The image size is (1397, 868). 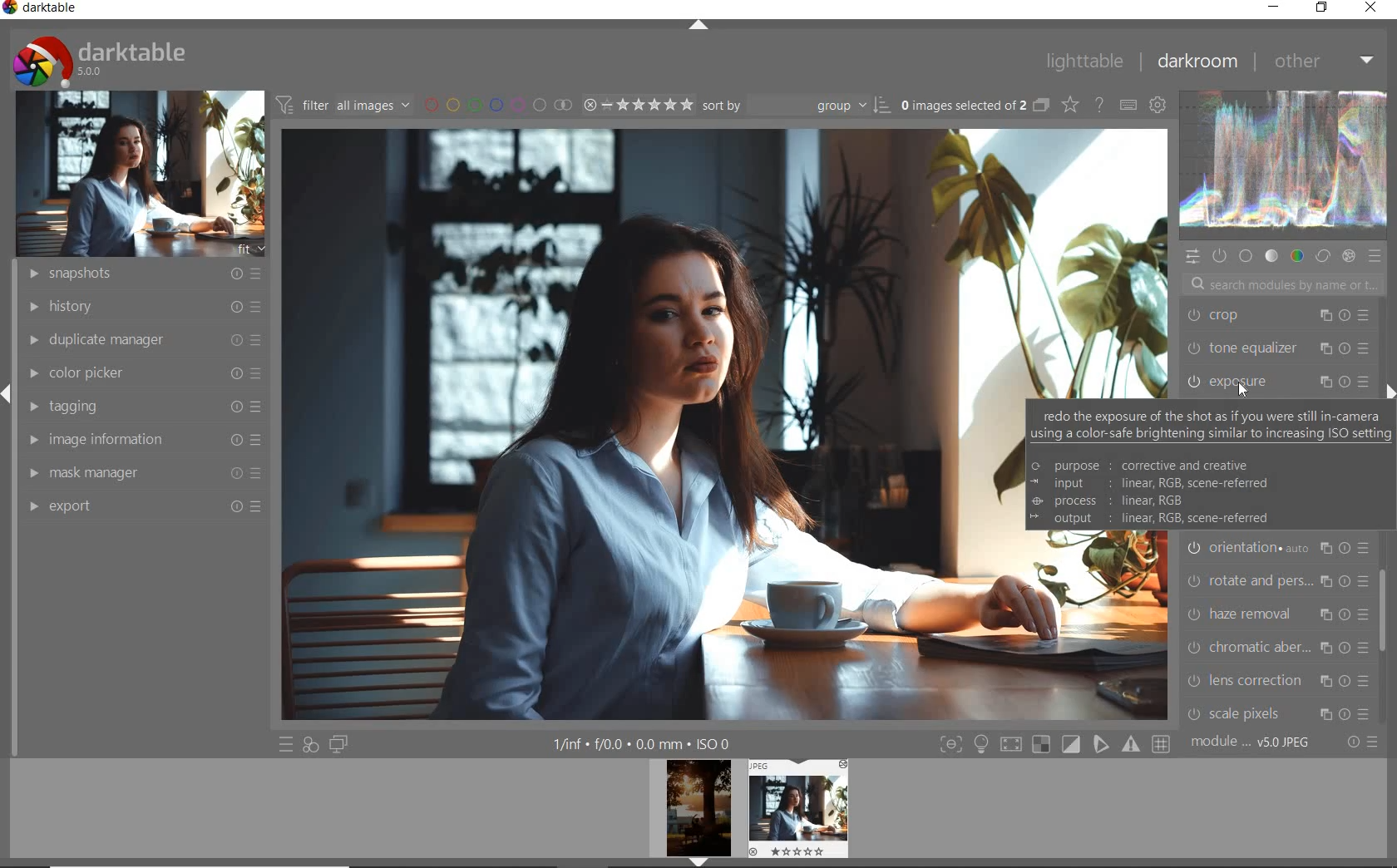 I want to click on IMAGE PREVIEW, so click(x=797, y=808).